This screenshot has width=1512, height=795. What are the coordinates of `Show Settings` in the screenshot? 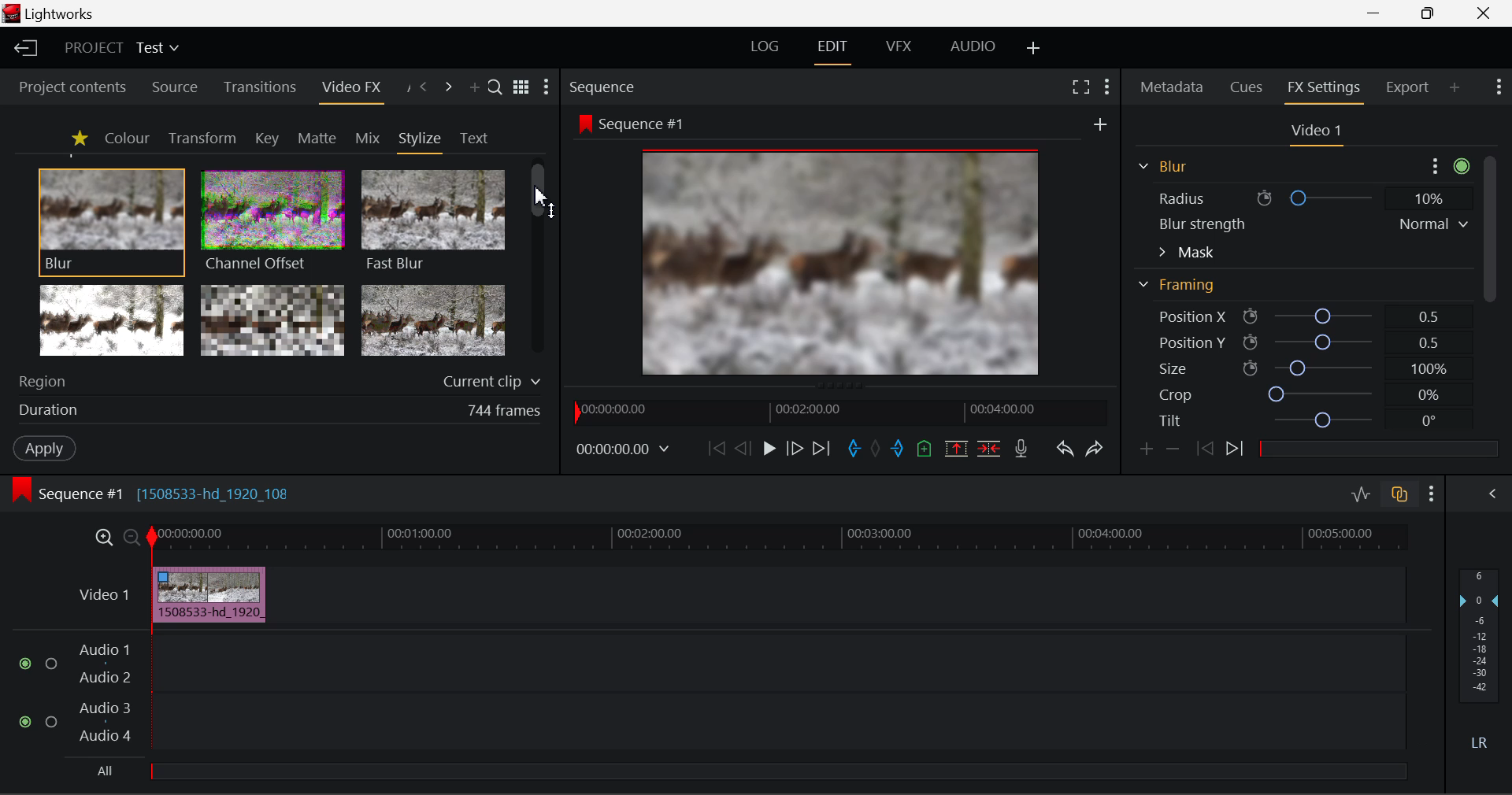 It's located at (1107, 85).